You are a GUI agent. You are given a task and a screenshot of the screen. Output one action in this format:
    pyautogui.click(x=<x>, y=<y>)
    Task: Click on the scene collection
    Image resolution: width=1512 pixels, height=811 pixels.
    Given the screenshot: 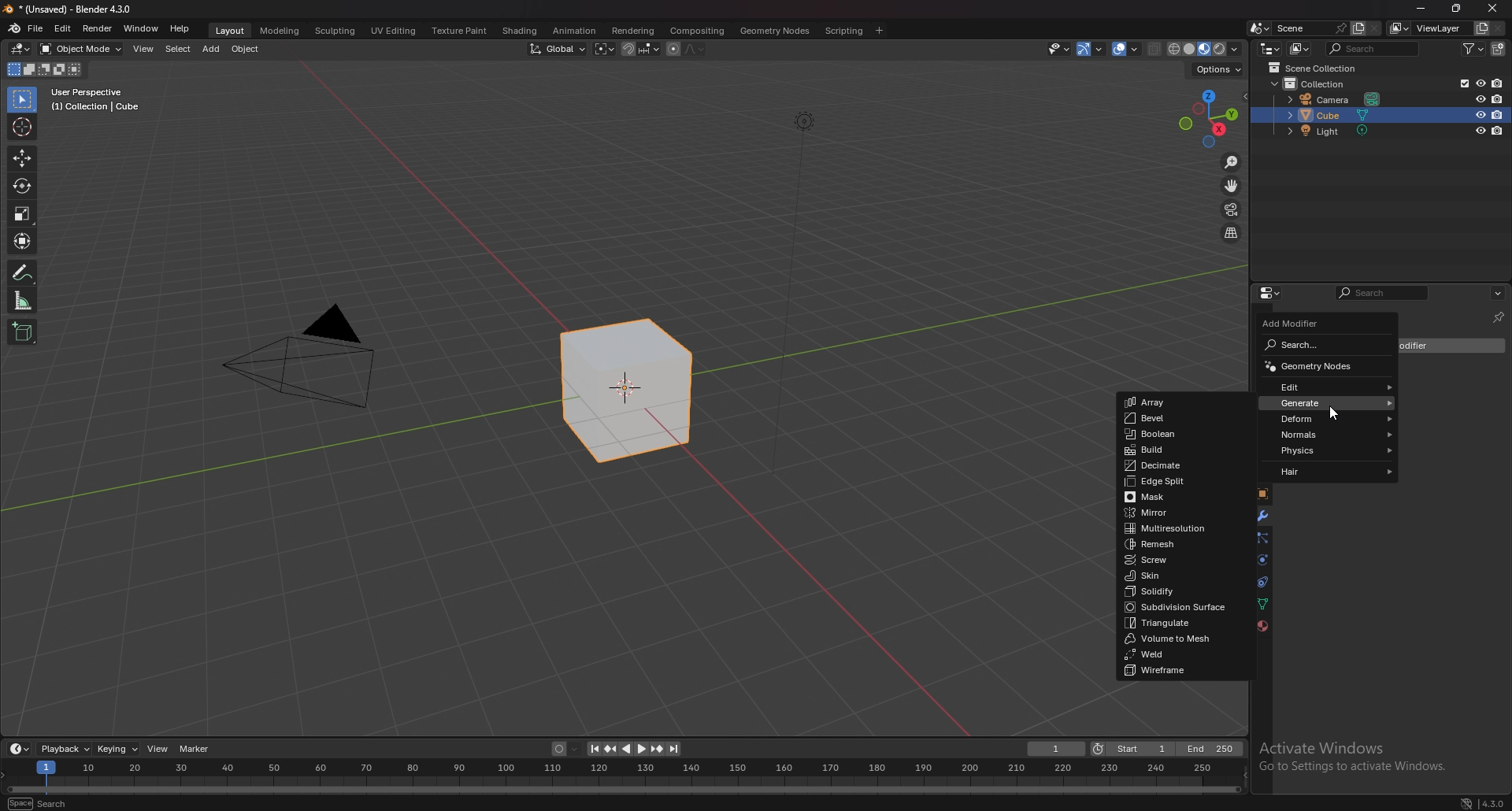 What is the action you would take?
    pyautogui.click(x=1319, y=68)
    